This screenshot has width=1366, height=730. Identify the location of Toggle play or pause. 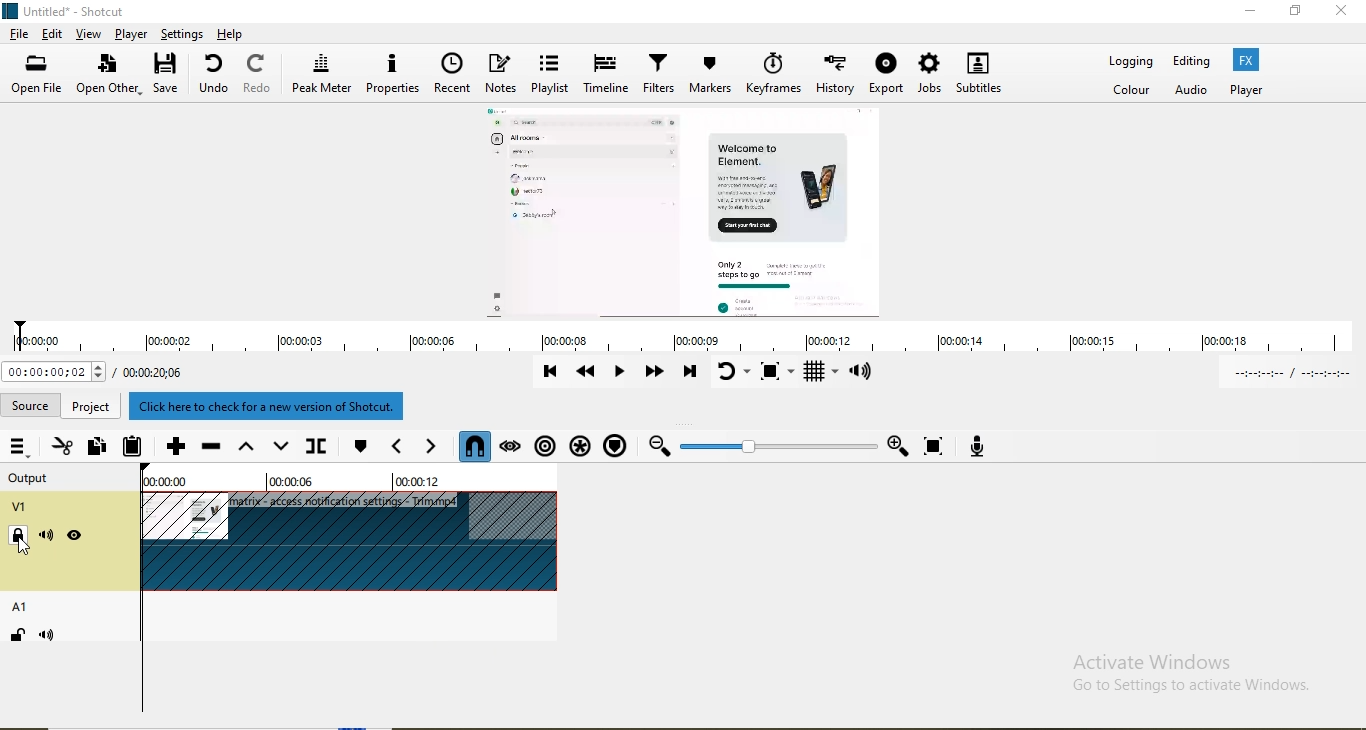
(623, 373).